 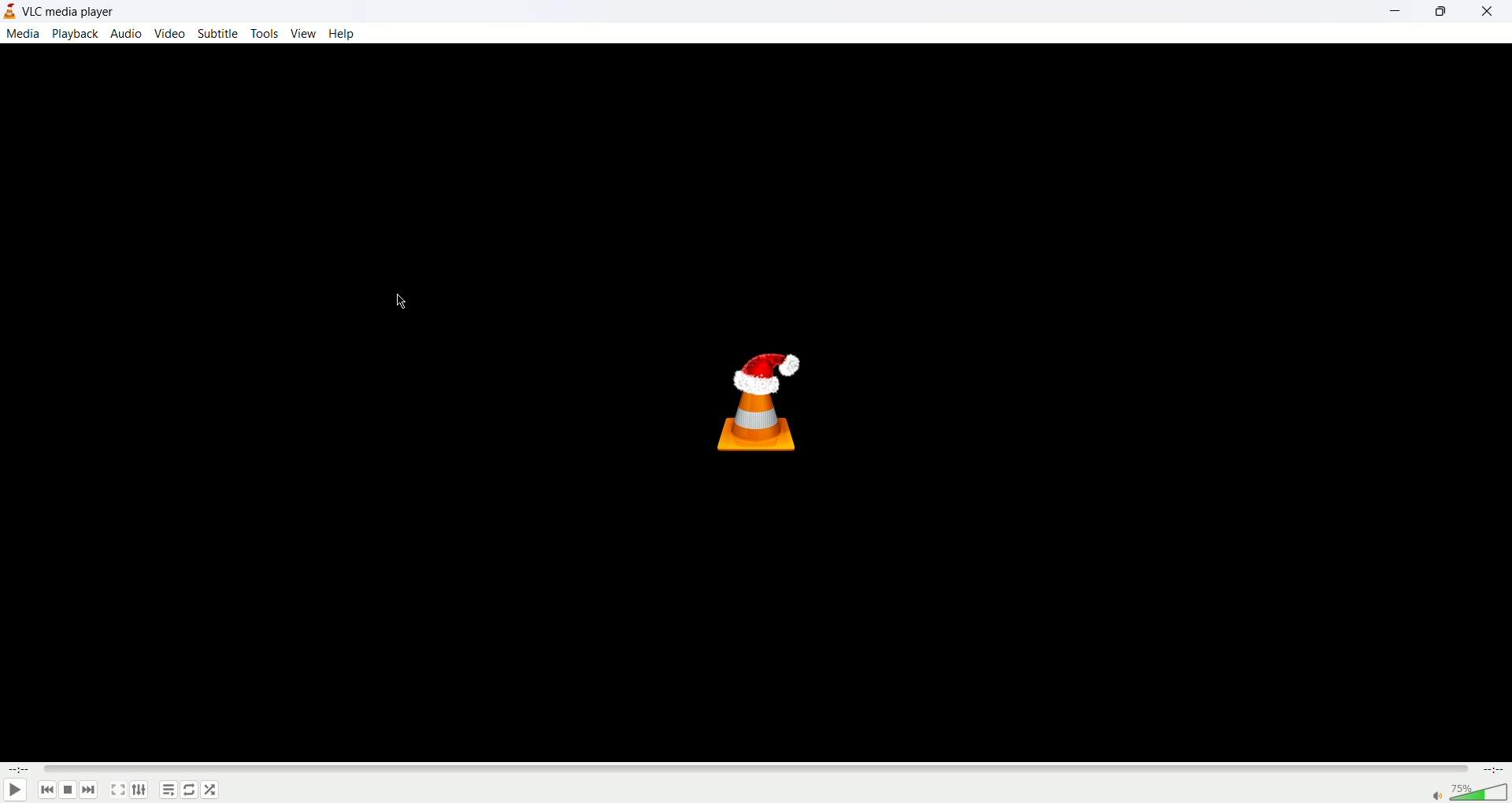 I want to click on toggle fullscreen, so click(x=117, y=791).